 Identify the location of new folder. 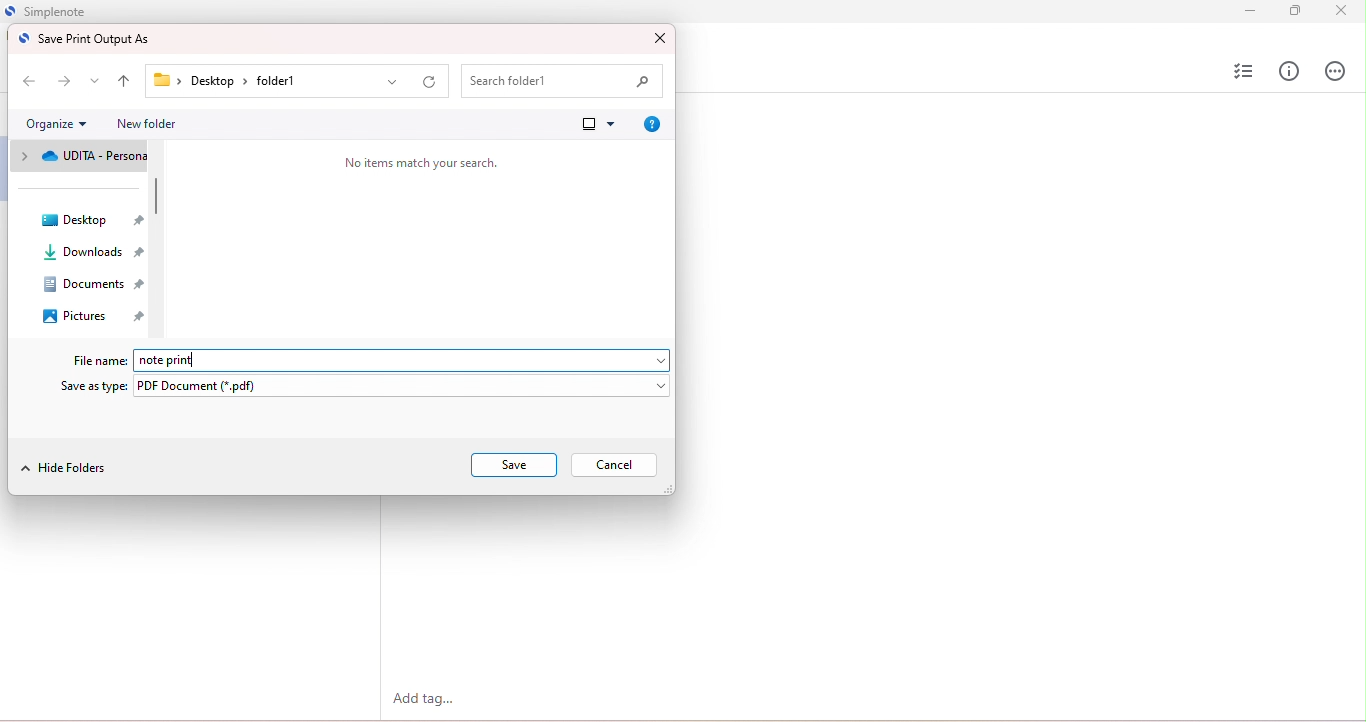
(146, 124).